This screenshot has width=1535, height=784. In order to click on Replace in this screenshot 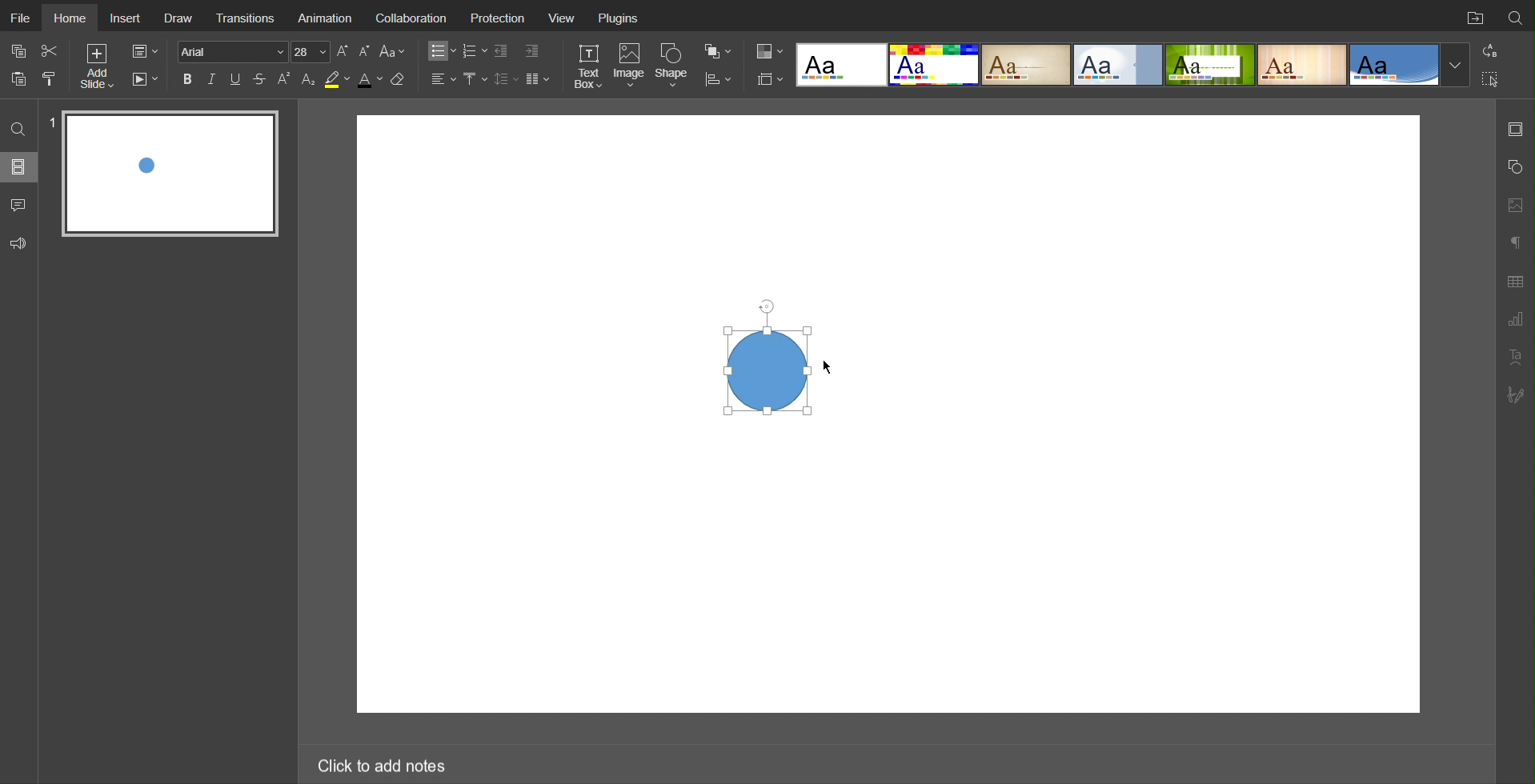, I will do `click(1489, 50)`.